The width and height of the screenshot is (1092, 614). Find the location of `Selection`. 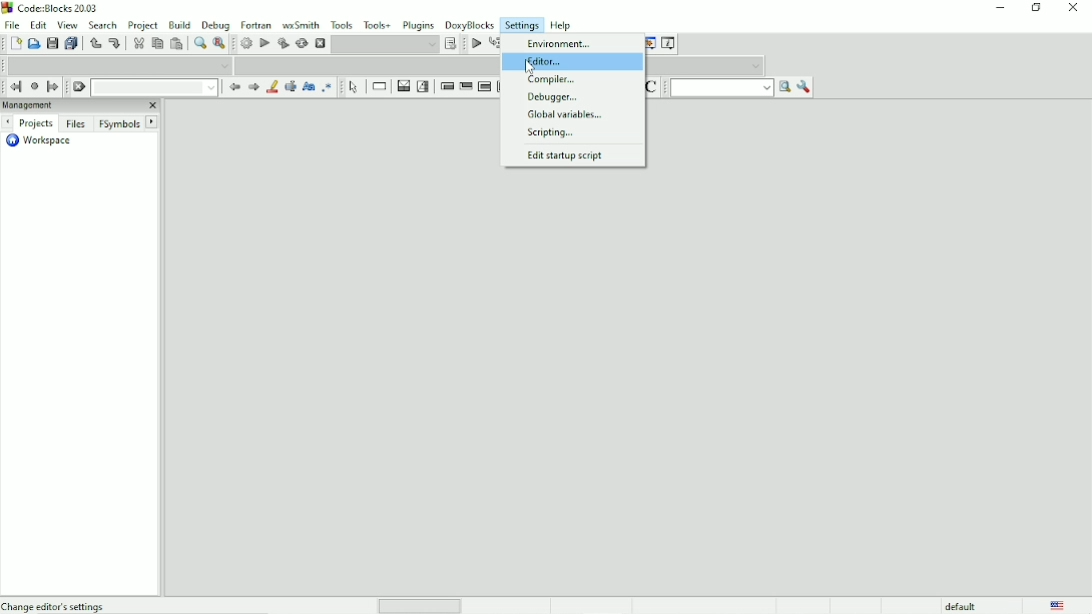

Selection is located at coordinates (424, 87).